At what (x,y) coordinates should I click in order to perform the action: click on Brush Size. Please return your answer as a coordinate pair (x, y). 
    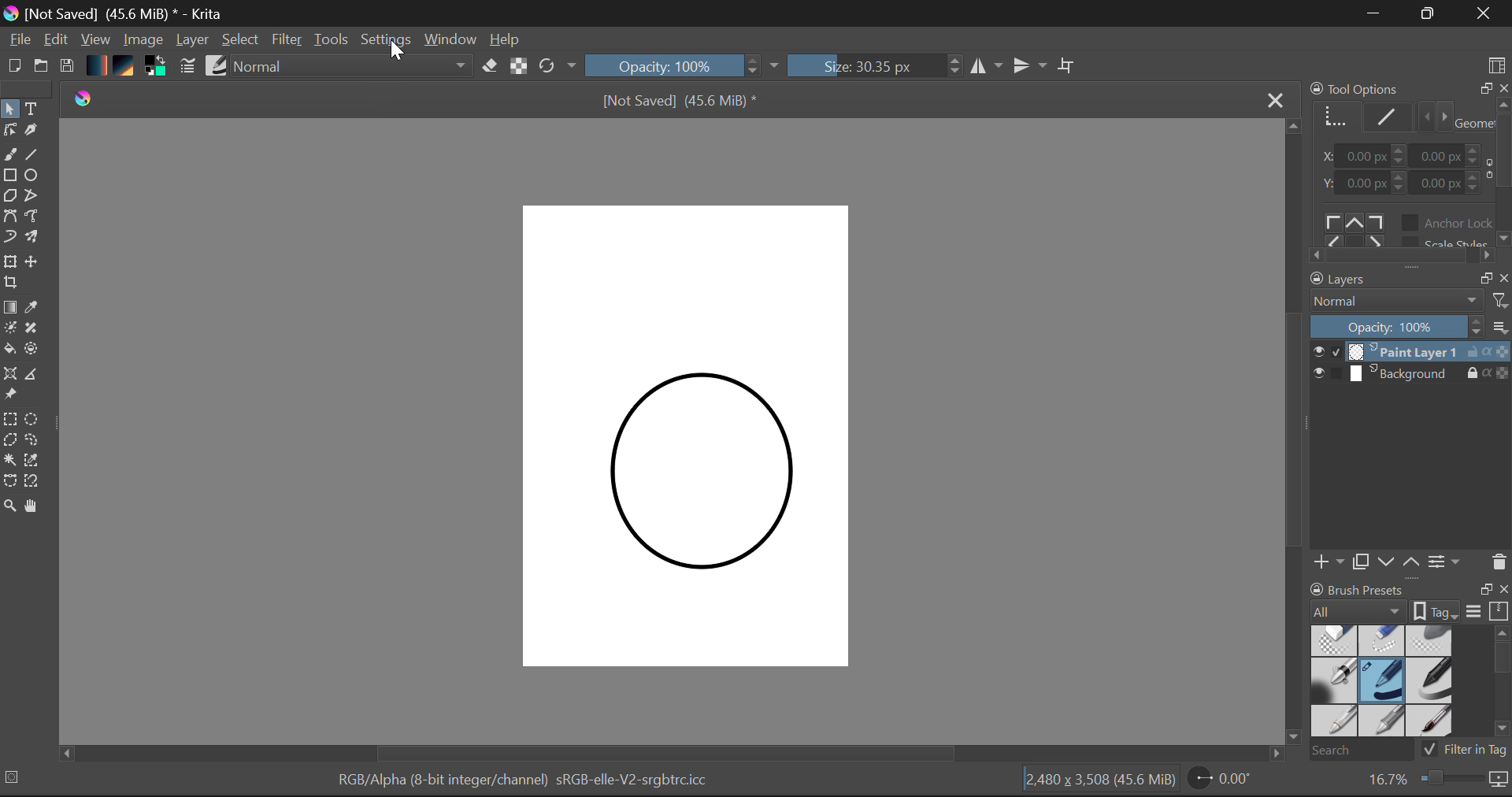
    Looking at the image, I should click on (876, 66).